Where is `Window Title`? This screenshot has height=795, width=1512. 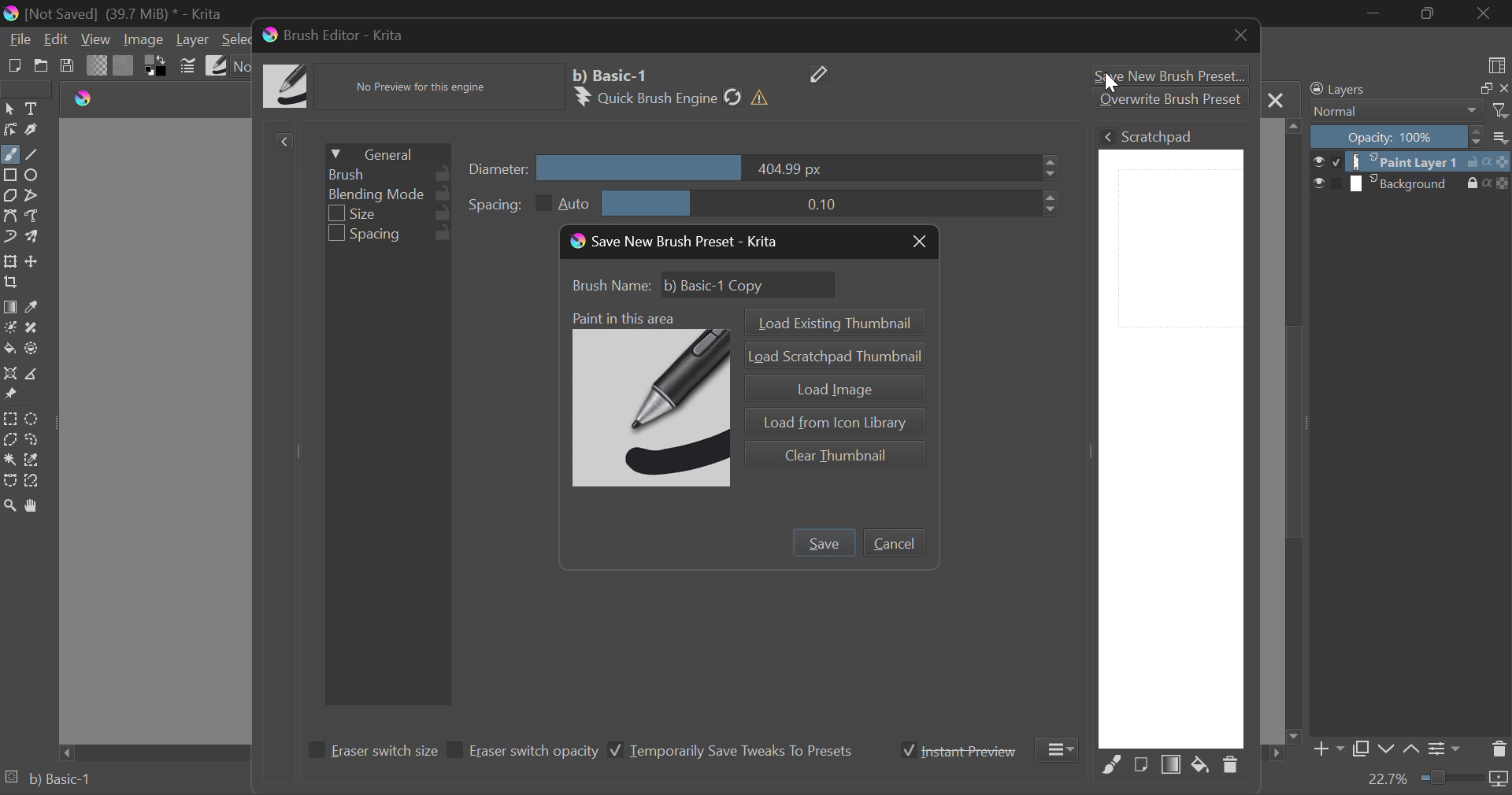
Window Title is located at coordinates (332, 35).